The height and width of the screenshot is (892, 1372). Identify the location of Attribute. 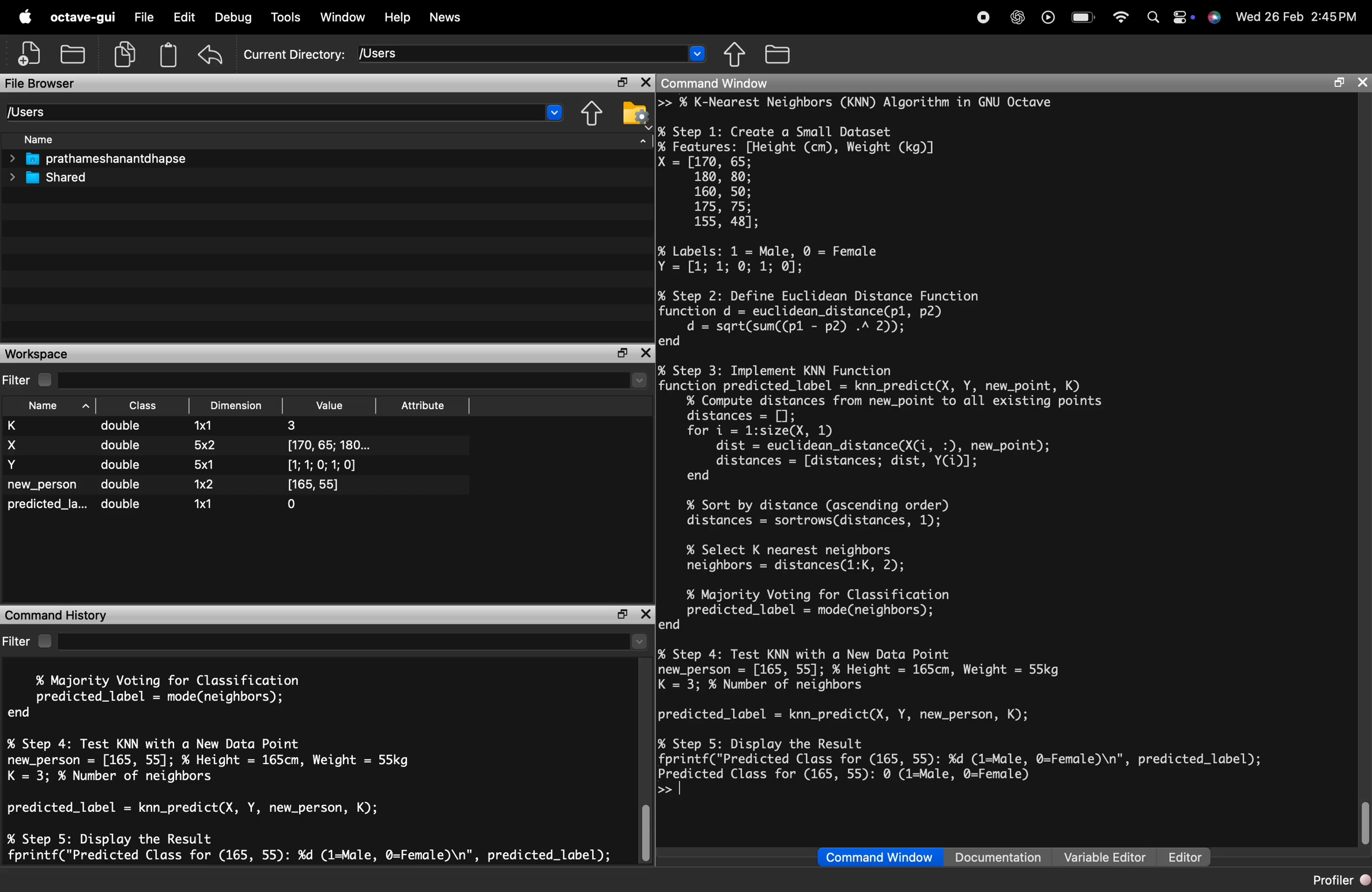
(427, 405).